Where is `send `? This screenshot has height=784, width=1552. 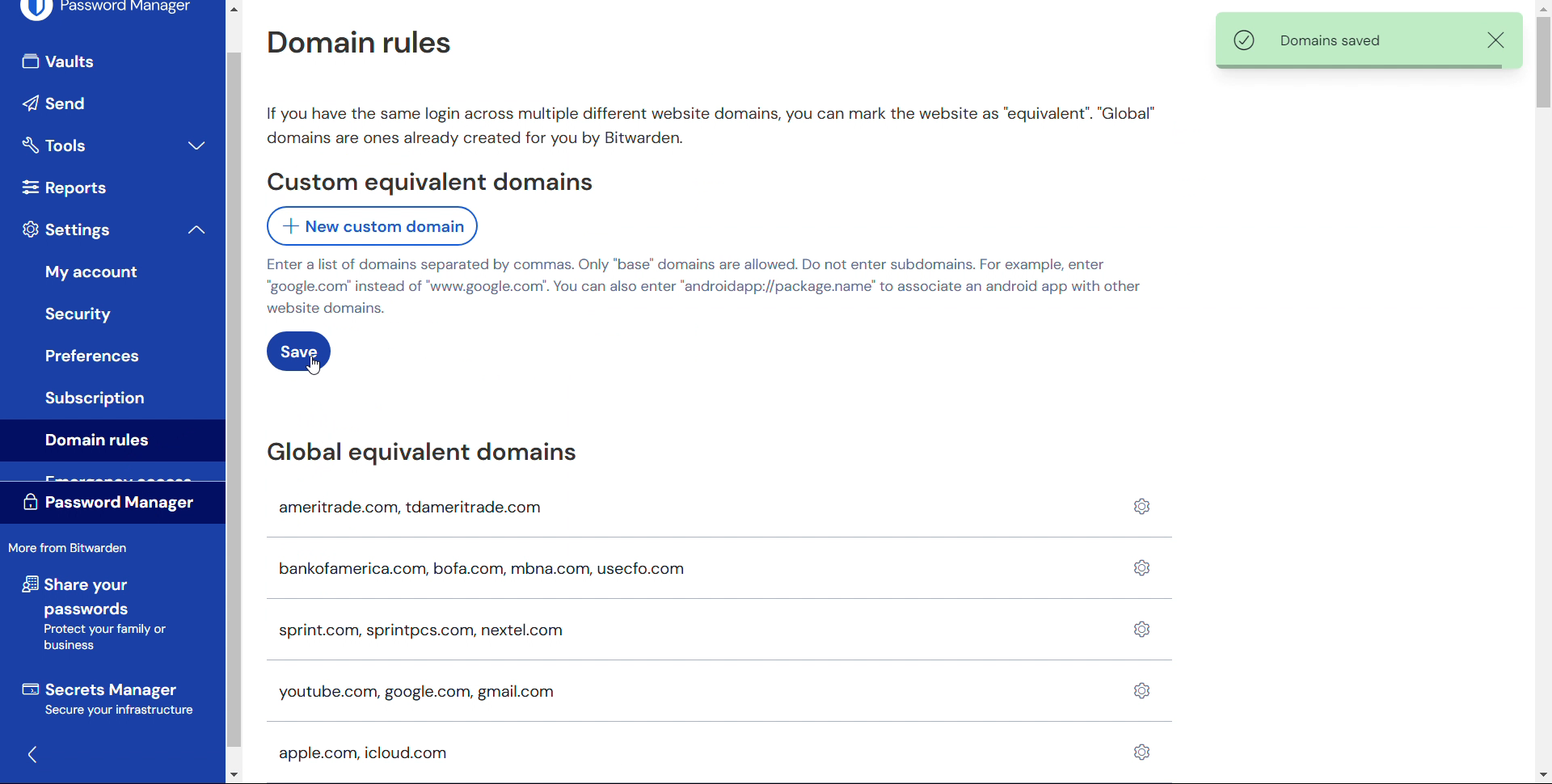
send  is located at coordinates (103, 102).